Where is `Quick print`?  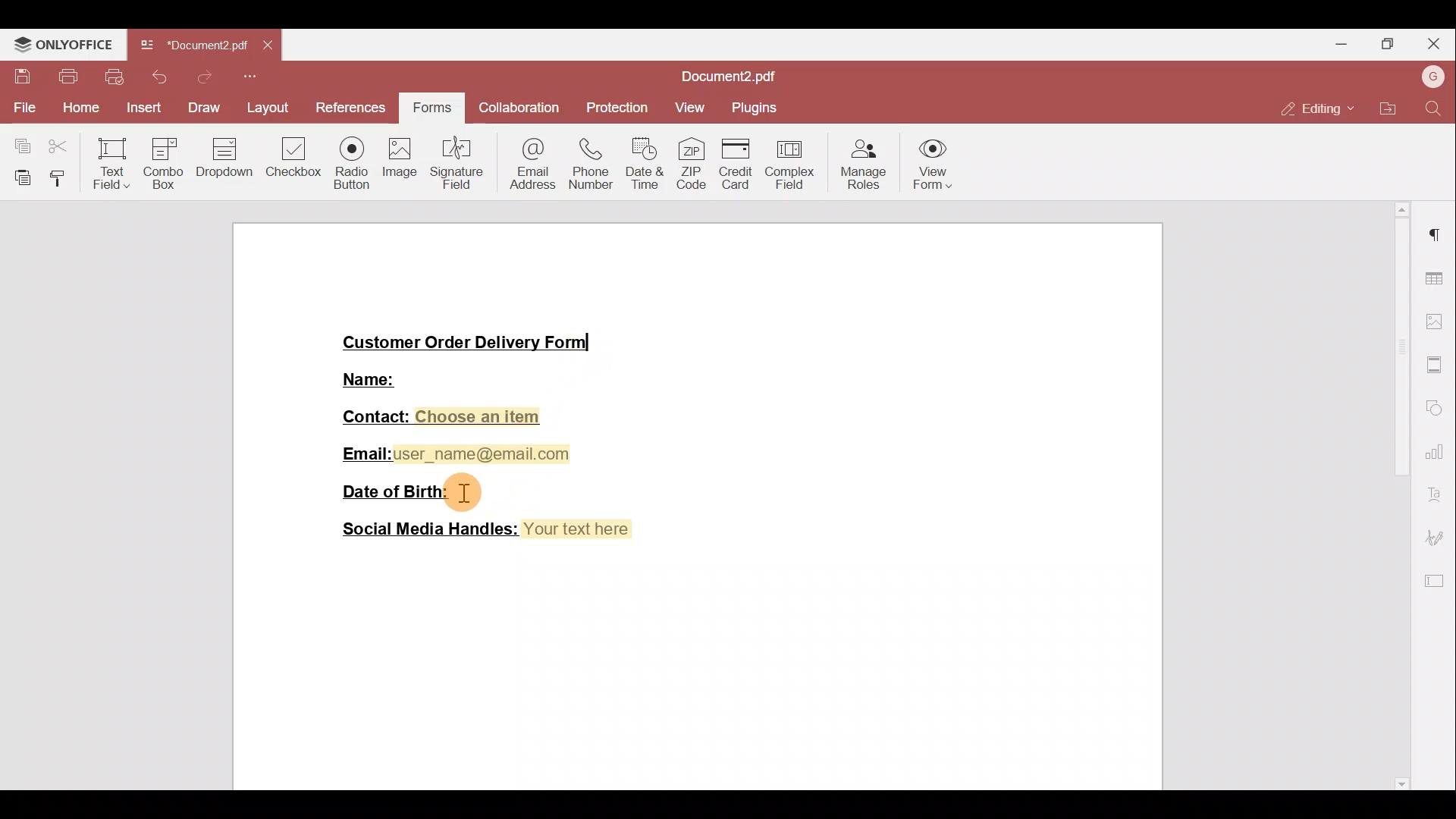
Quick print is located at coordinates (113, 76).